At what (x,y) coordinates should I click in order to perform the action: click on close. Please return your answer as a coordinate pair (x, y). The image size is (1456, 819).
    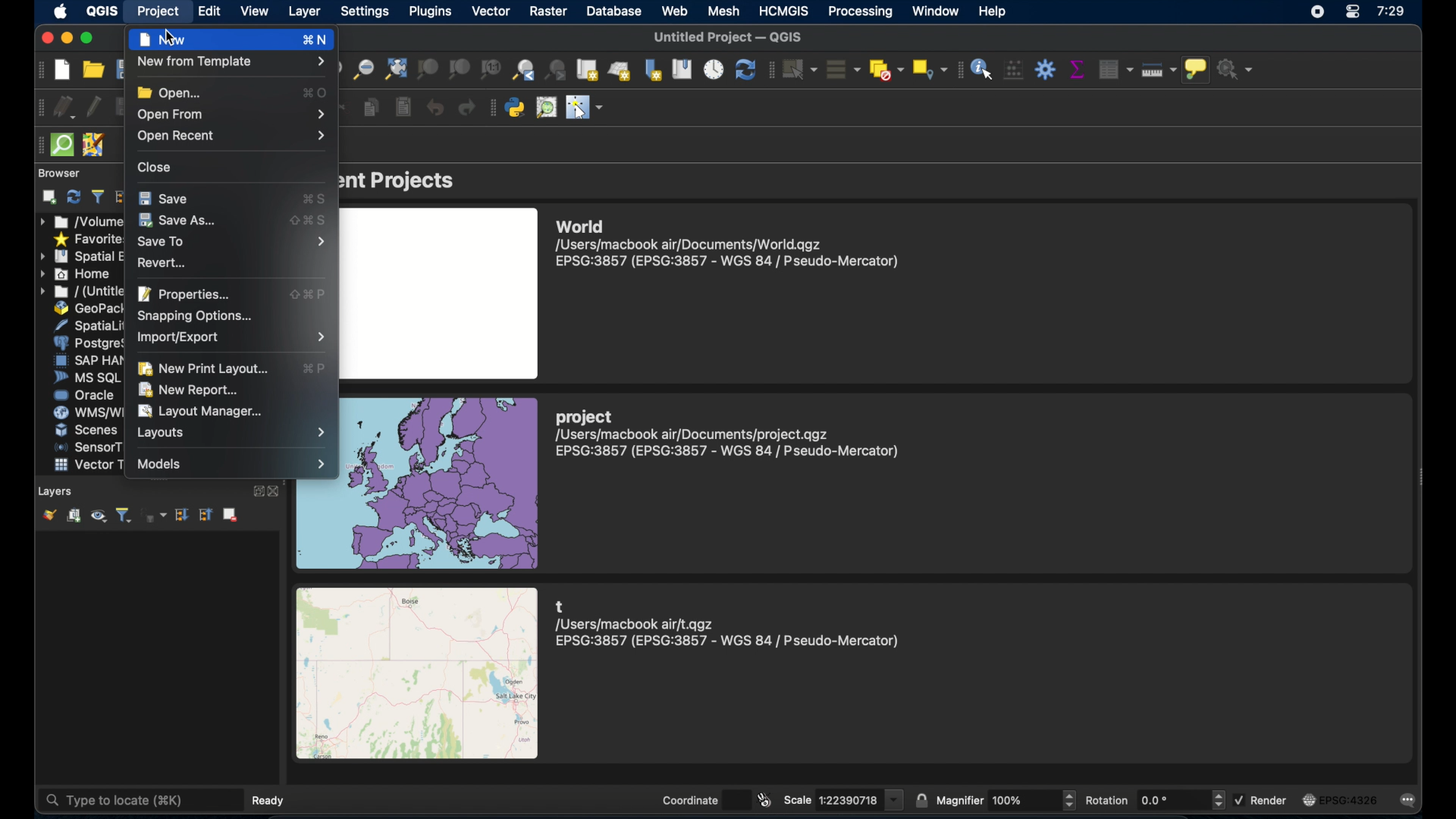
    Looking at the image, I should click on (158, 165).